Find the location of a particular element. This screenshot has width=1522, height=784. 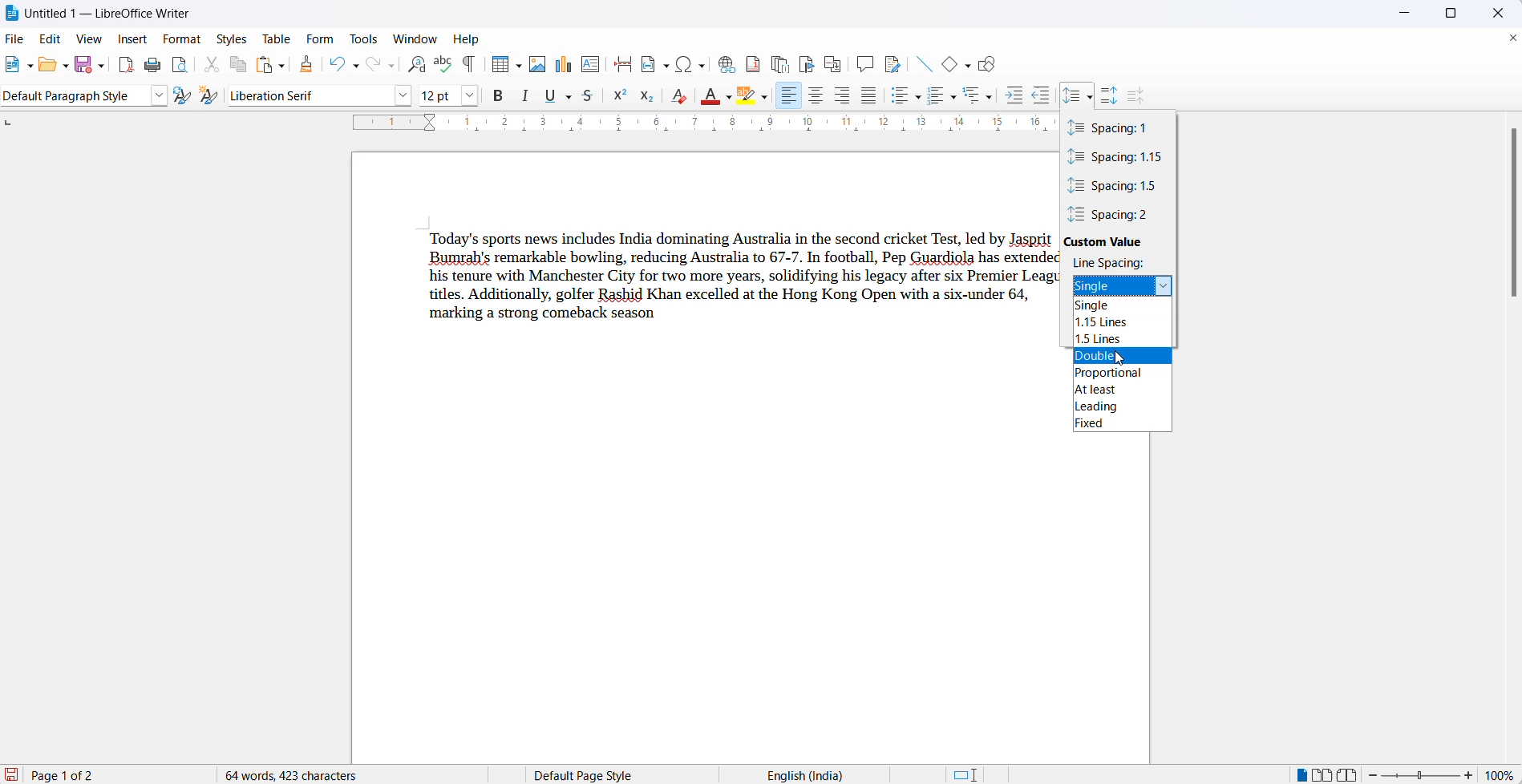

toggle unordered list is located at coordinates (918, 98).